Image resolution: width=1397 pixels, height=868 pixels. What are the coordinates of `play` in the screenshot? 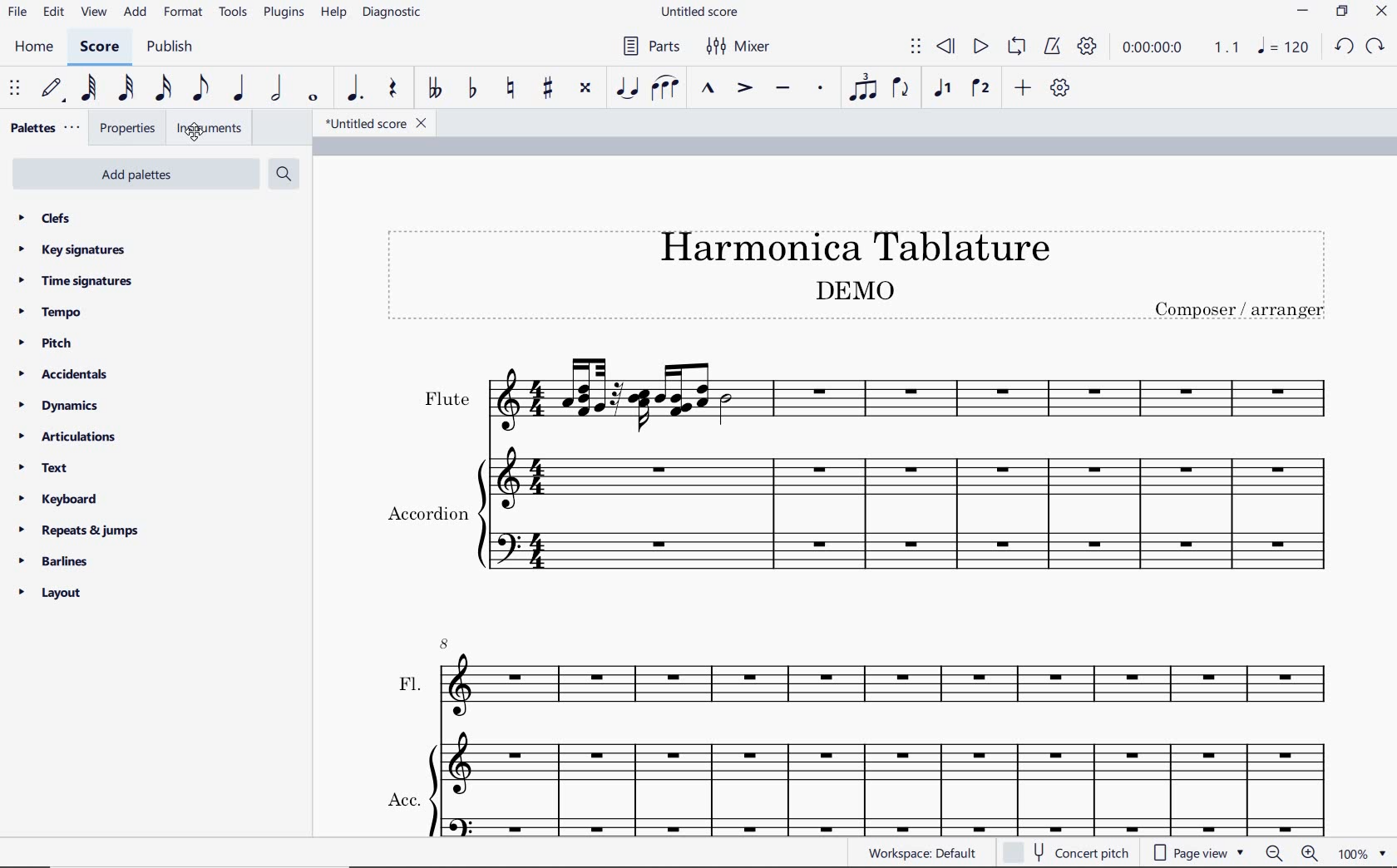 It's located at (980, 49).